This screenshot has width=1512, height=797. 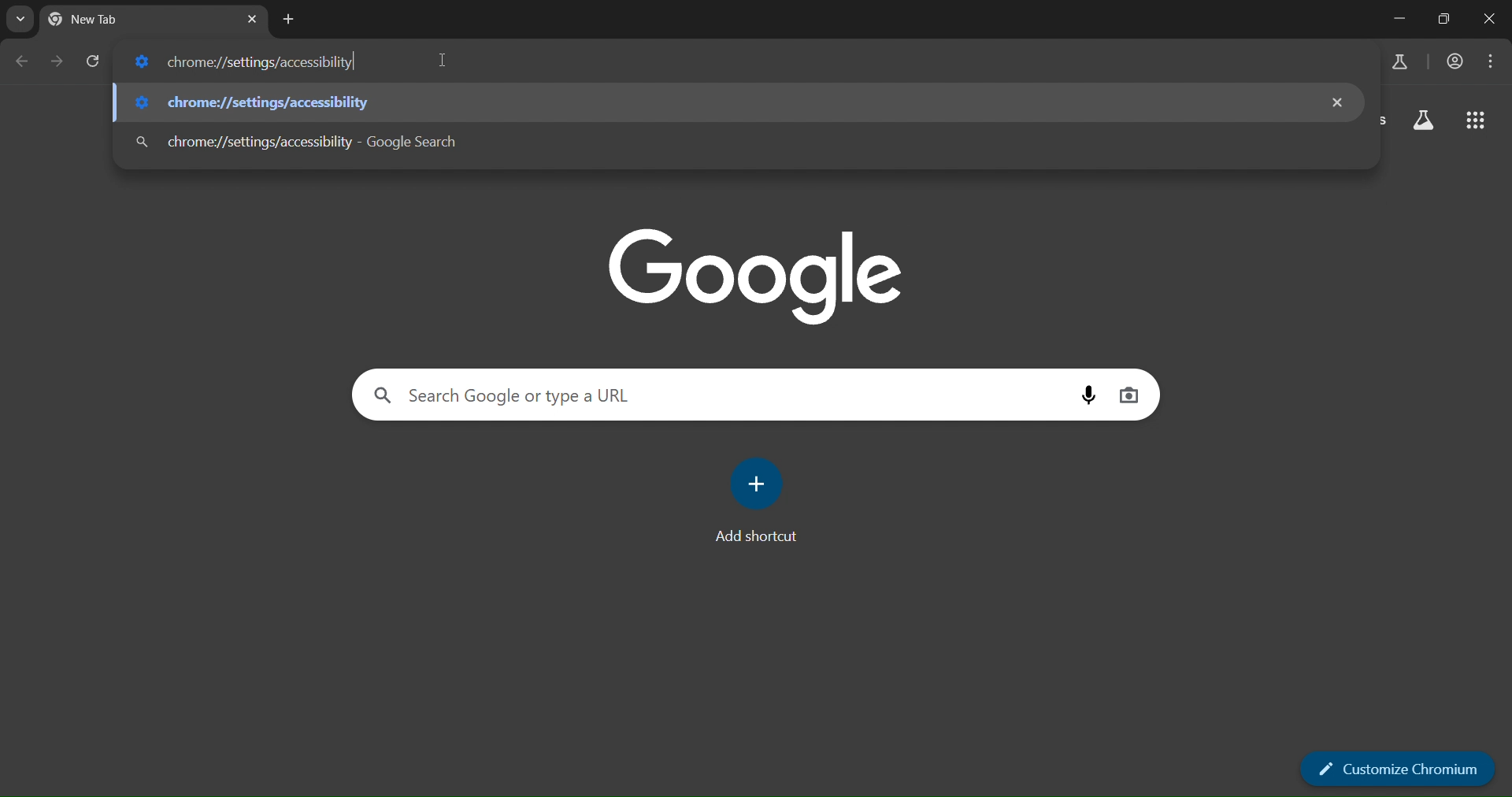 I want to click on search panel, so click(x=547, y=395).